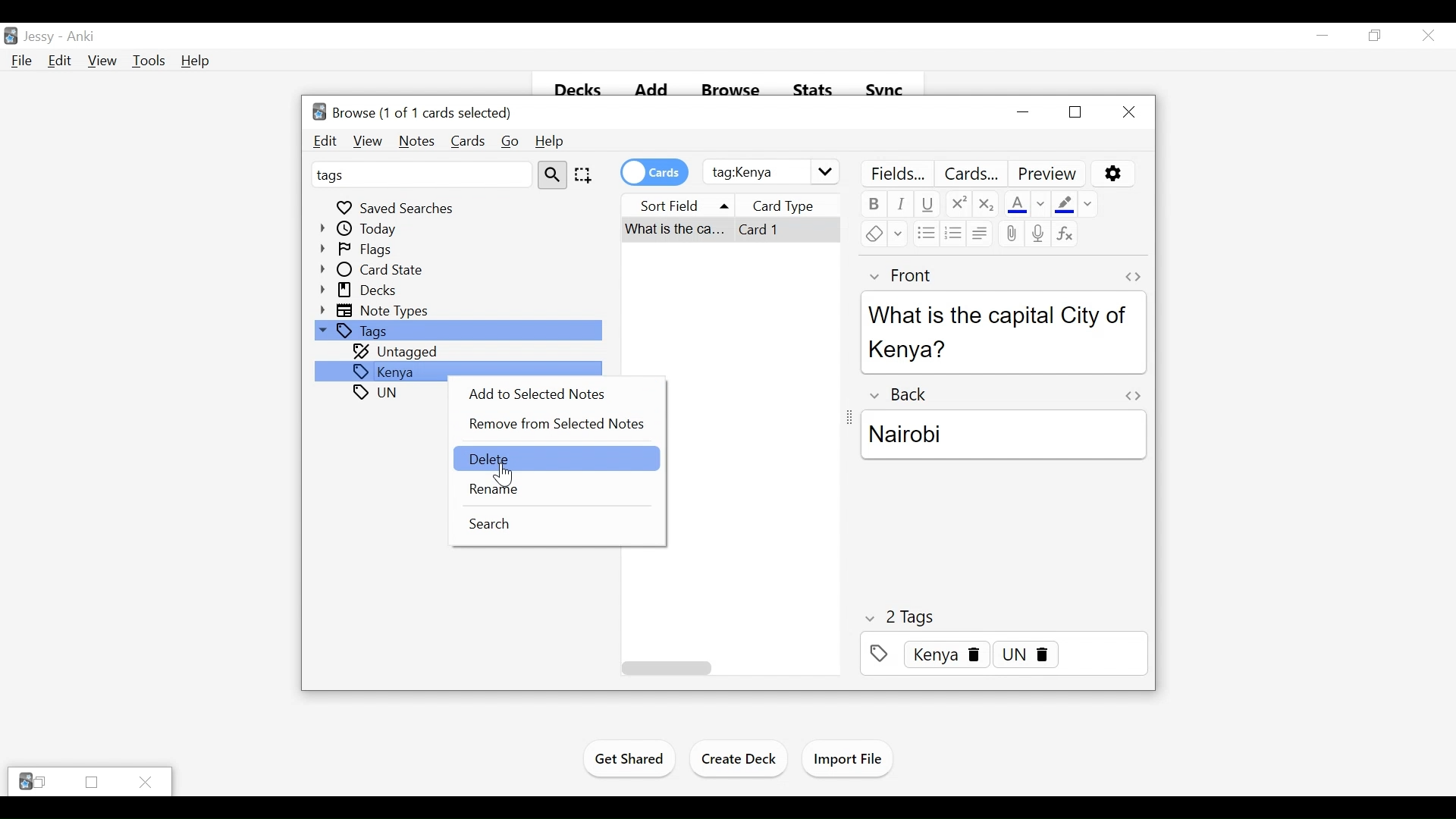 Image resolution: width=1456 pixels, height=819 pixels. I want to click on Kenya, so click(458, 371).